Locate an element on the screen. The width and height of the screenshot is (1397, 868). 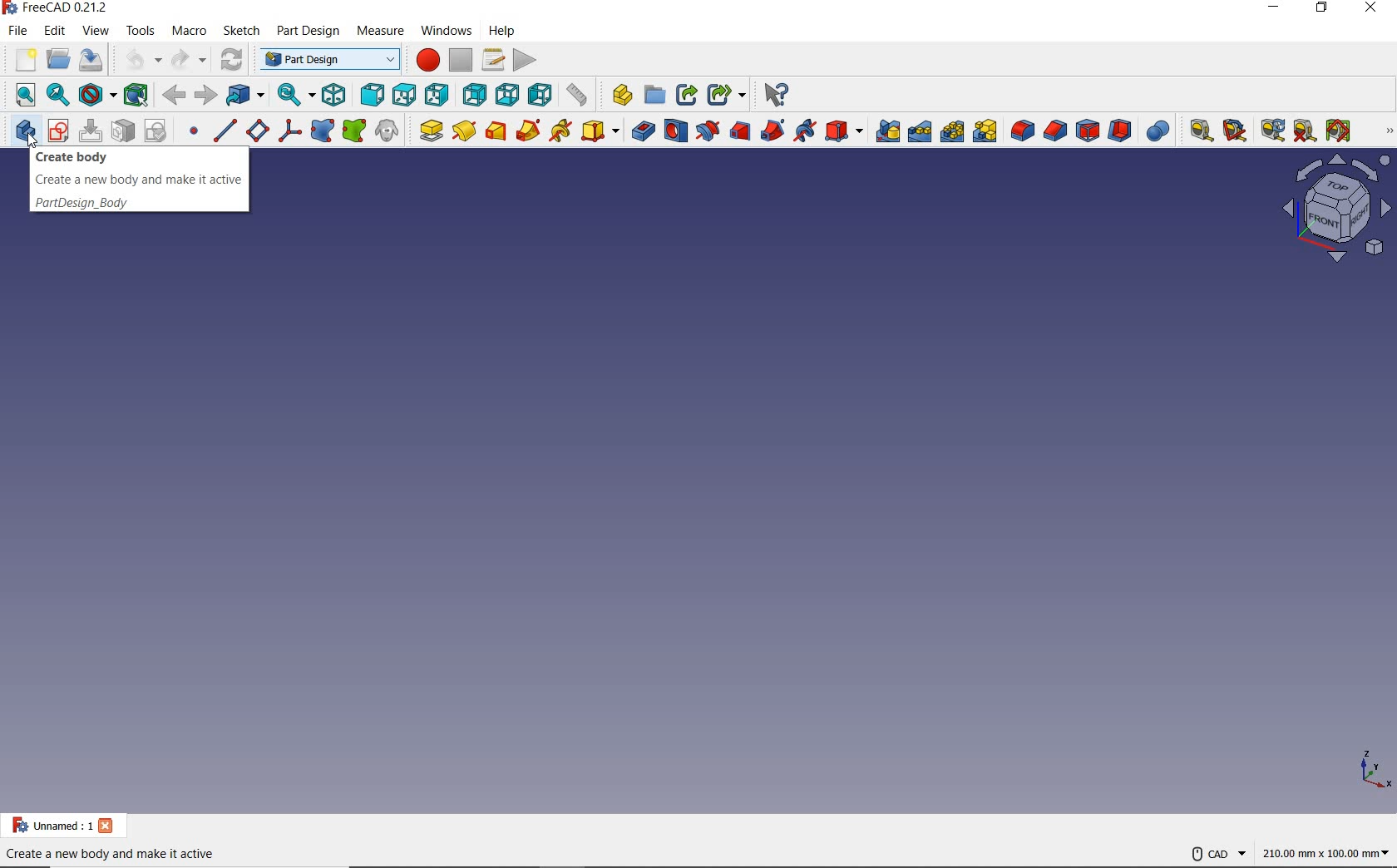
CLEAR ALL is located at coordinates (1236, 131).